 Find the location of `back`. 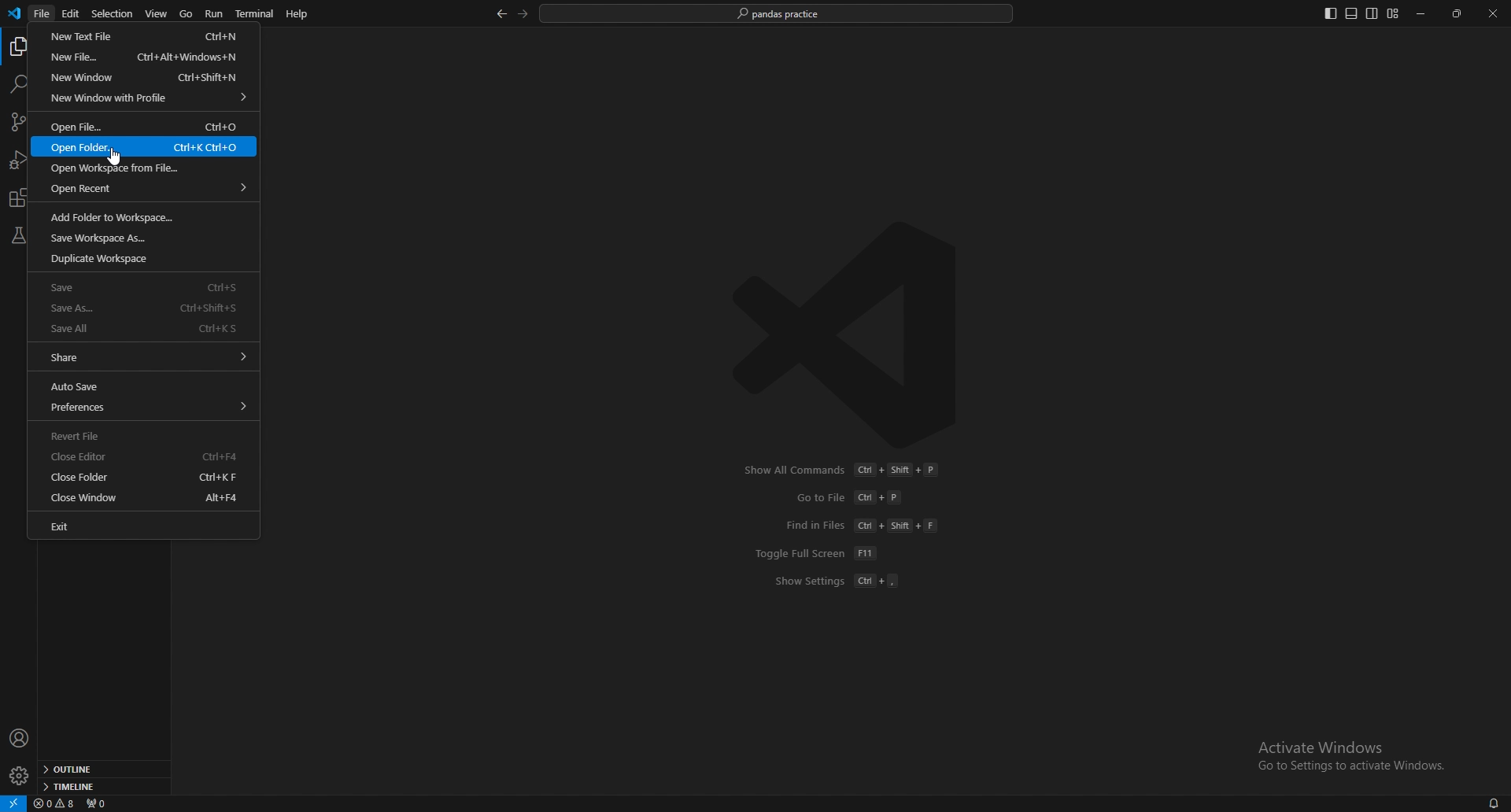

back is located at coordinates (501, 15).